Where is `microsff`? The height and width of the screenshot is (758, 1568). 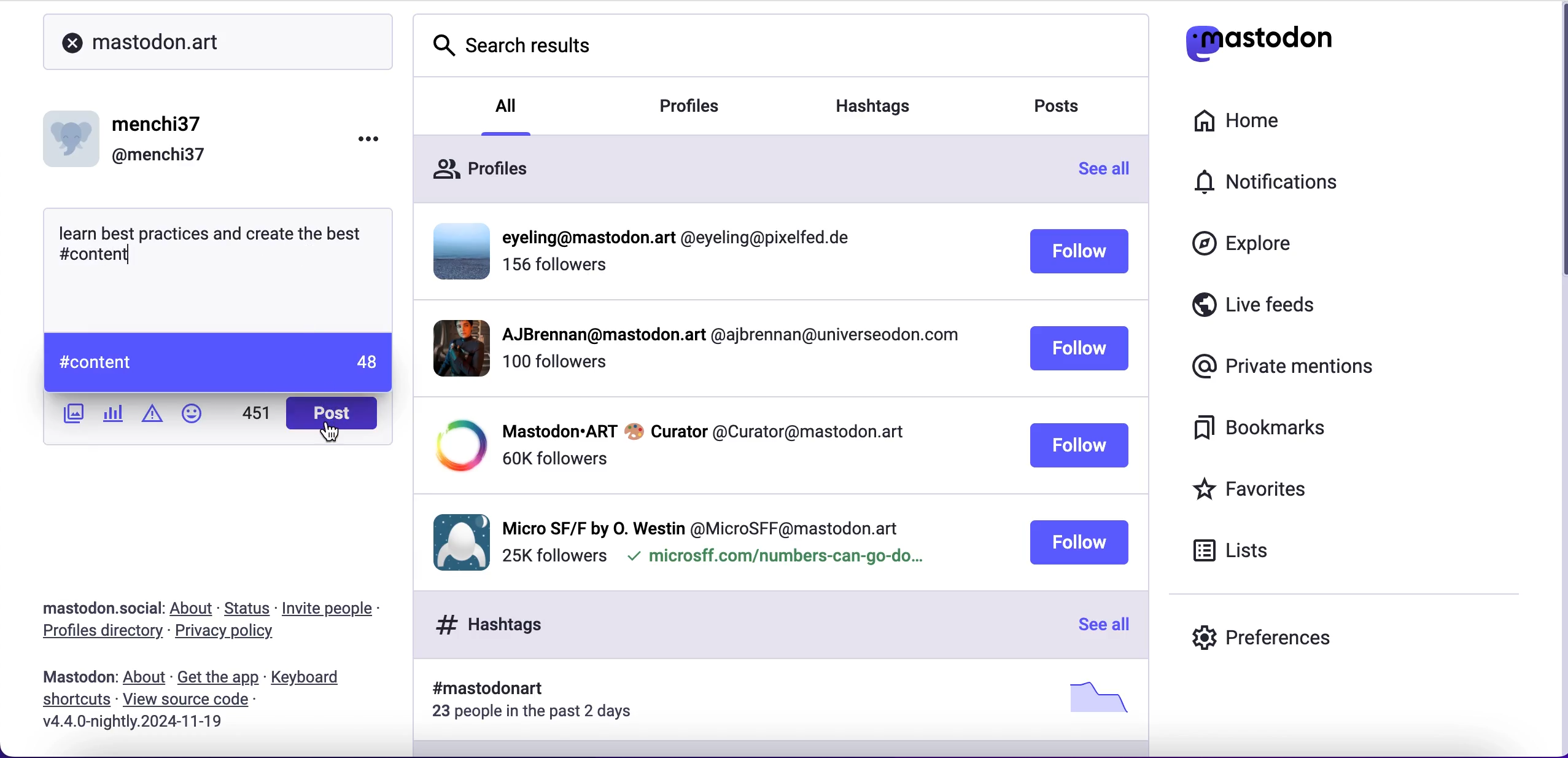
microsff is located at coordinates (774, 559).